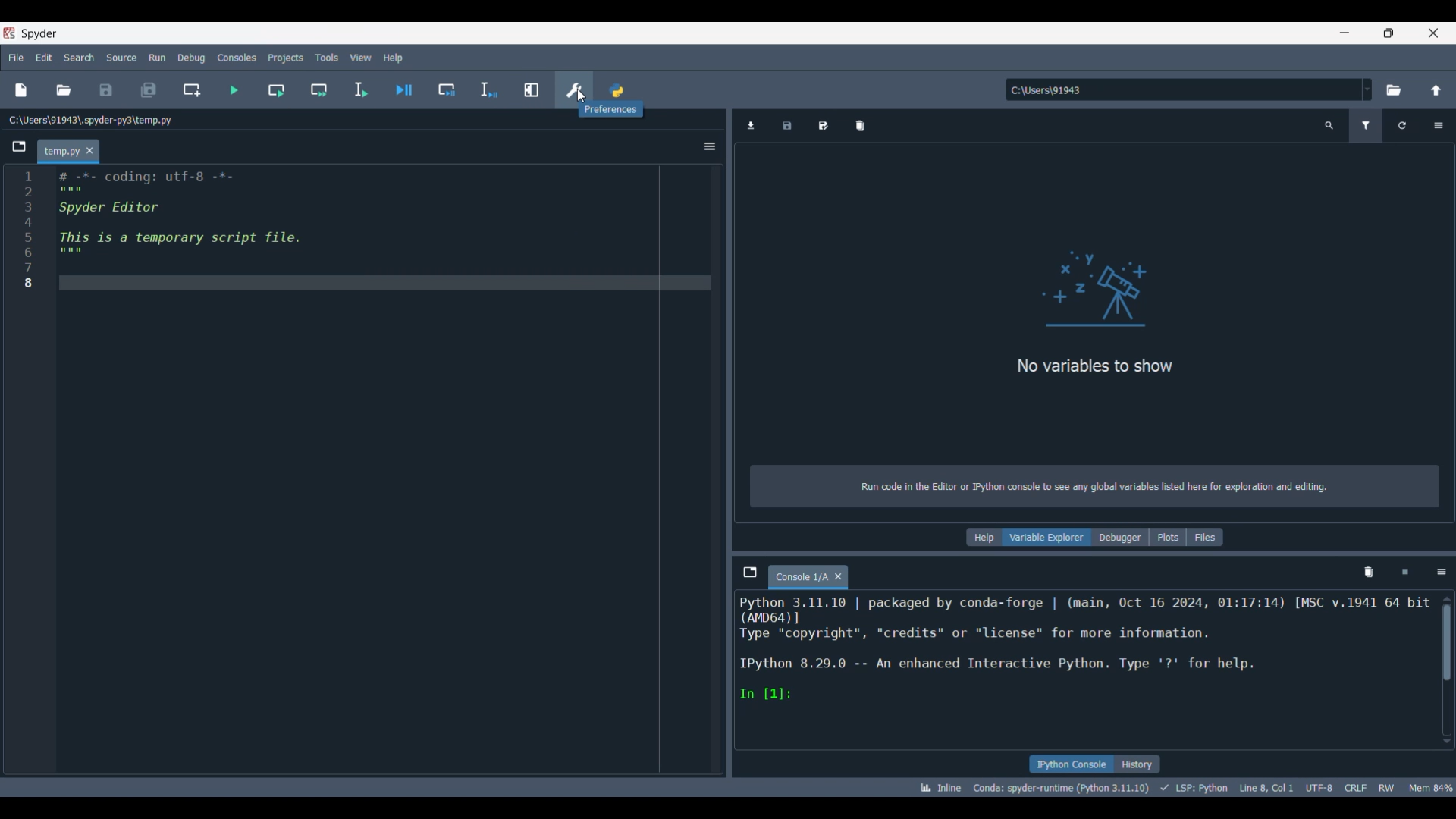 The height and width of the screenshot is (819, 1456). Describe the element at coordinates (122, 58) in the screenshot. I see `Source menu` at that location.